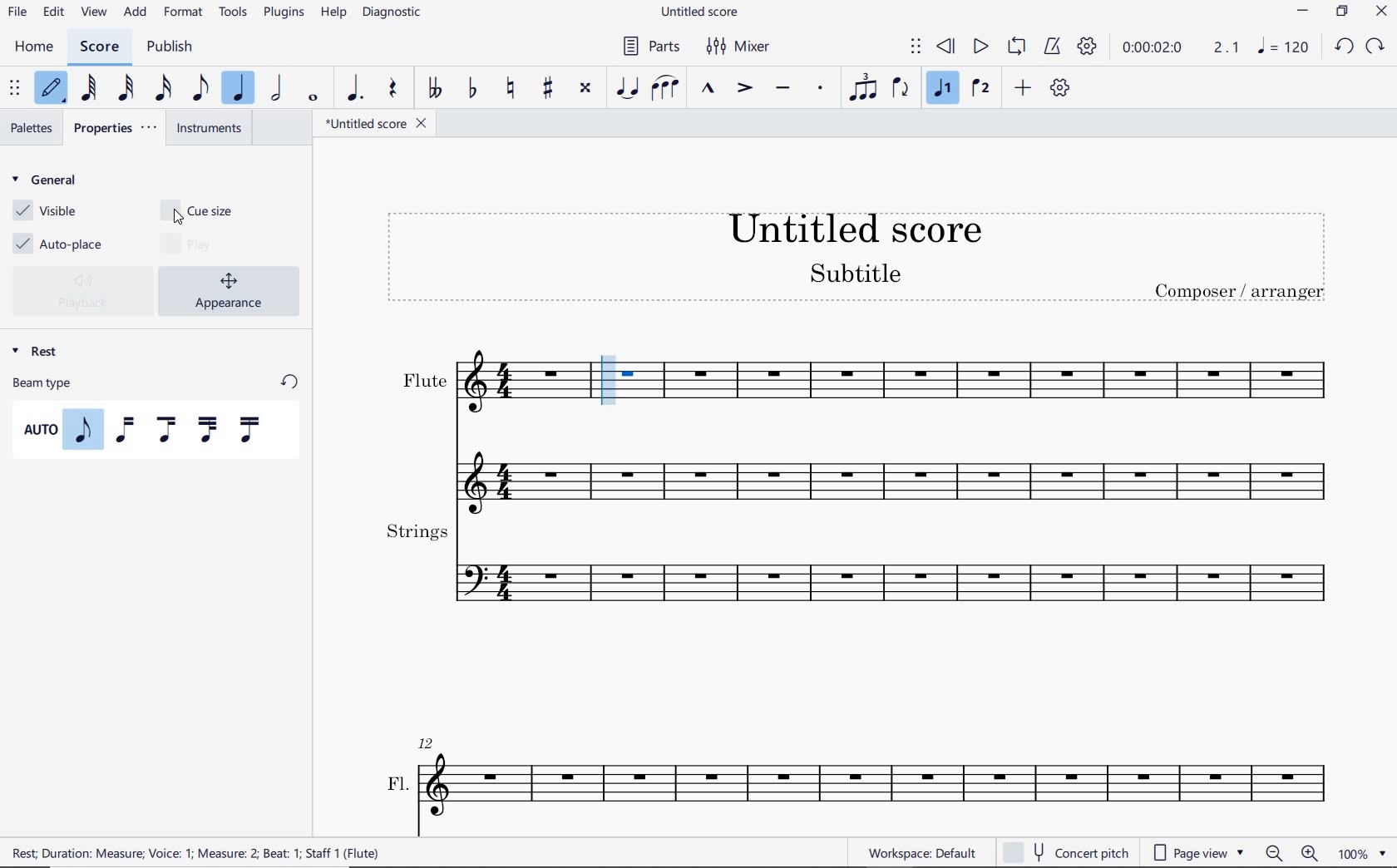 The width and height of the screenshot is (1397, 868). What do you see at coordinates (856, 468) in the screenshot?
I see `flute` at bounding box center [856, 468].